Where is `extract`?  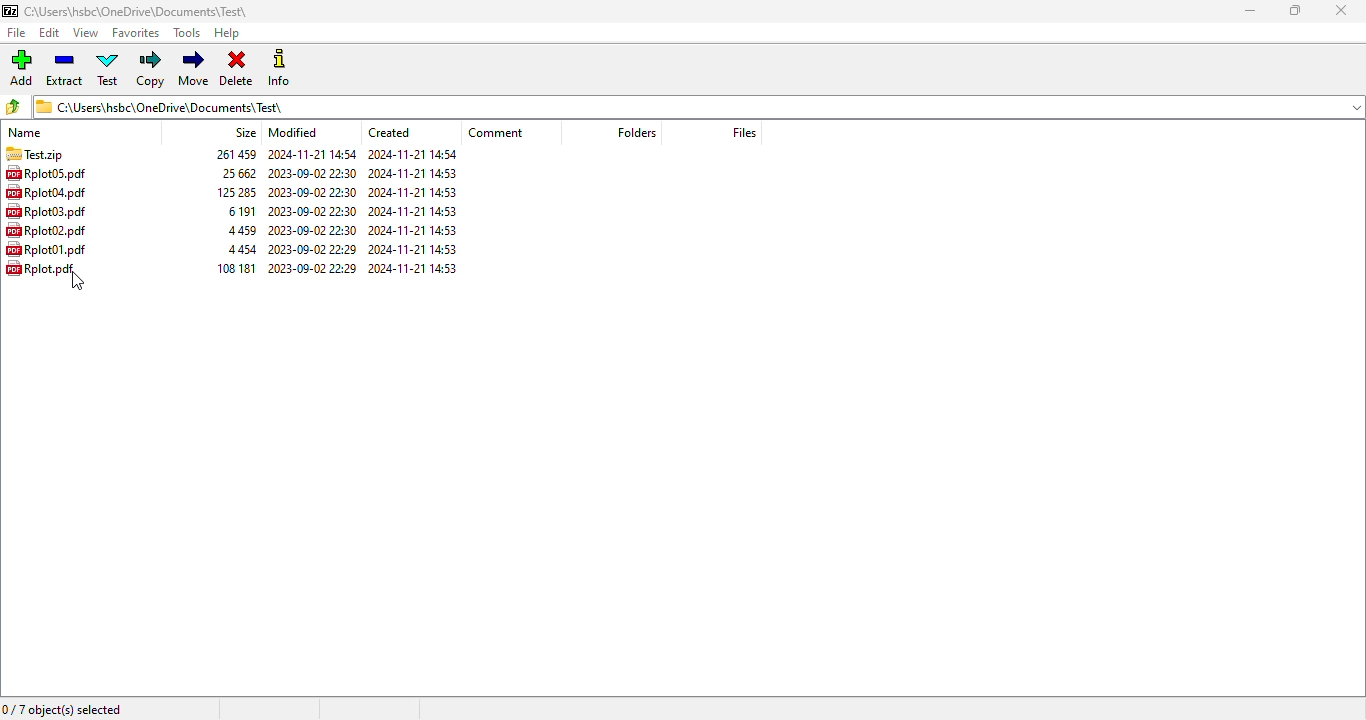
extract is located at coordinates (65, 68).